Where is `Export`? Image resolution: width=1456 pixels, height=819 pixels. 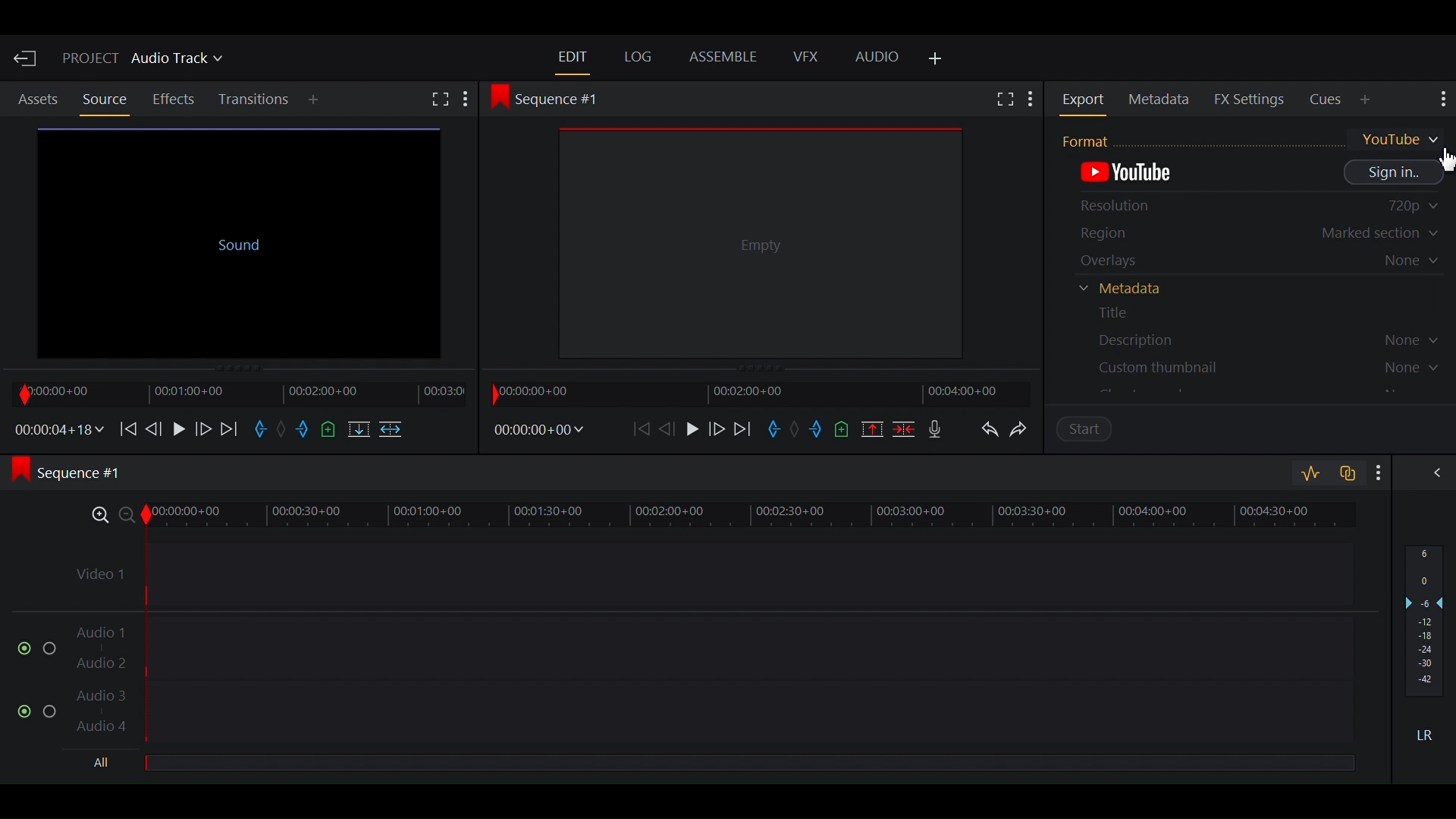
Export is located at coordinates (1086, 99).